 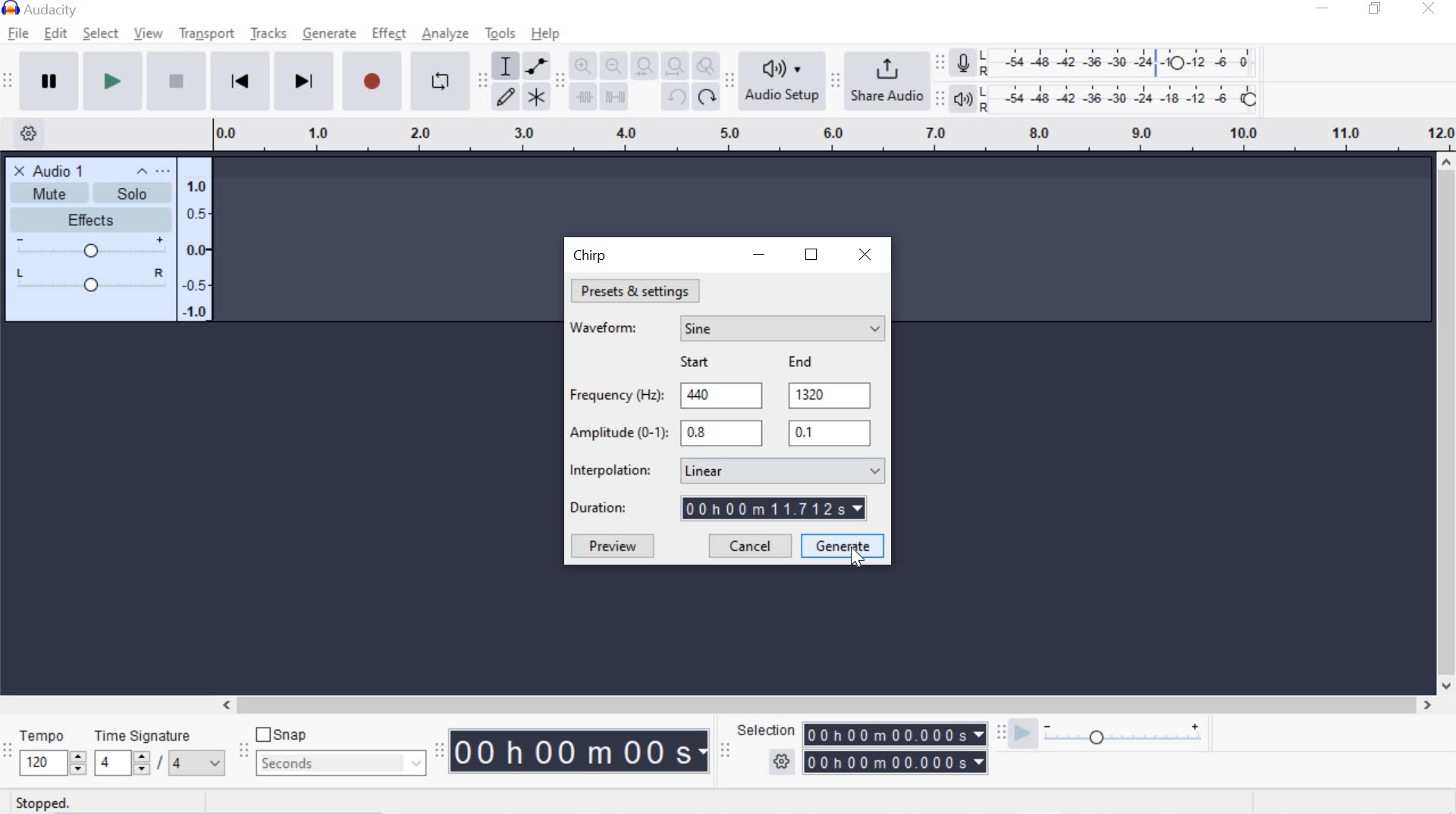 I want to click on stopped, so click(x=45, y=803).